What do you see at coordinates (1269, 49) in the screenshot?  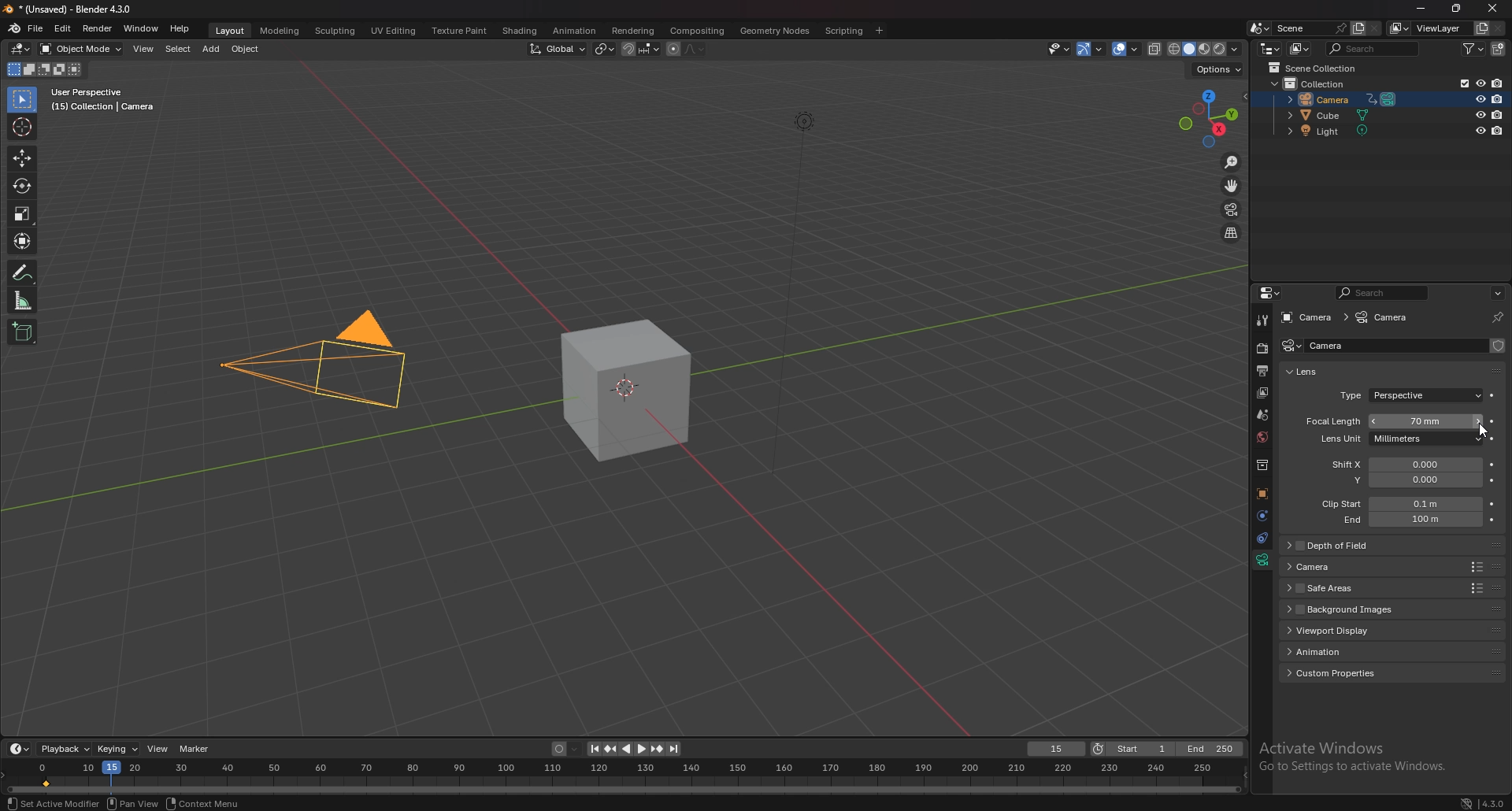 I see `editor type` at bounding box center [1269, 49].